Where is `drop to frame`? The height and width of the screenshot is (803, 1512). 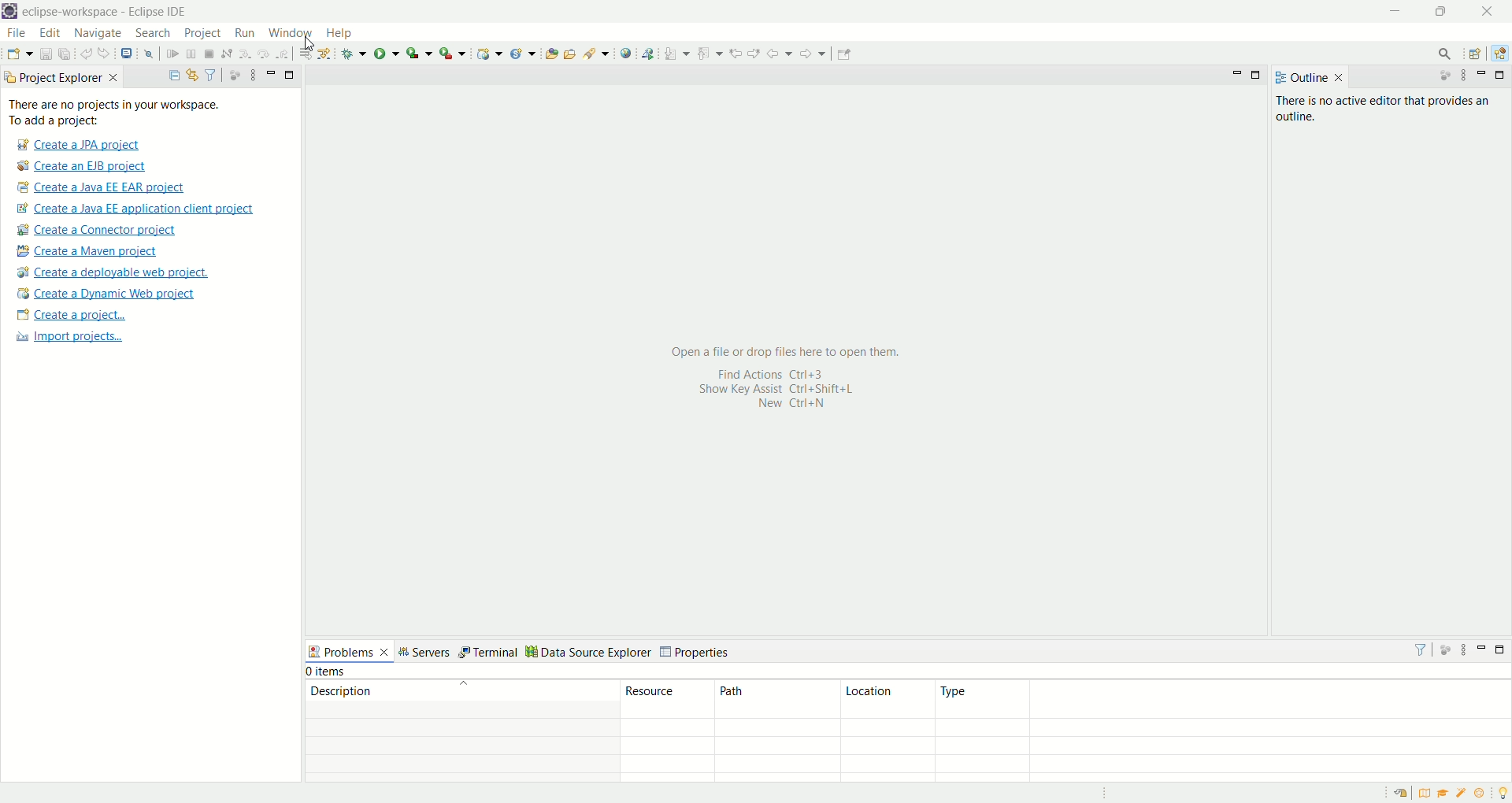 drop to frame is located at coordinates (302, 54).